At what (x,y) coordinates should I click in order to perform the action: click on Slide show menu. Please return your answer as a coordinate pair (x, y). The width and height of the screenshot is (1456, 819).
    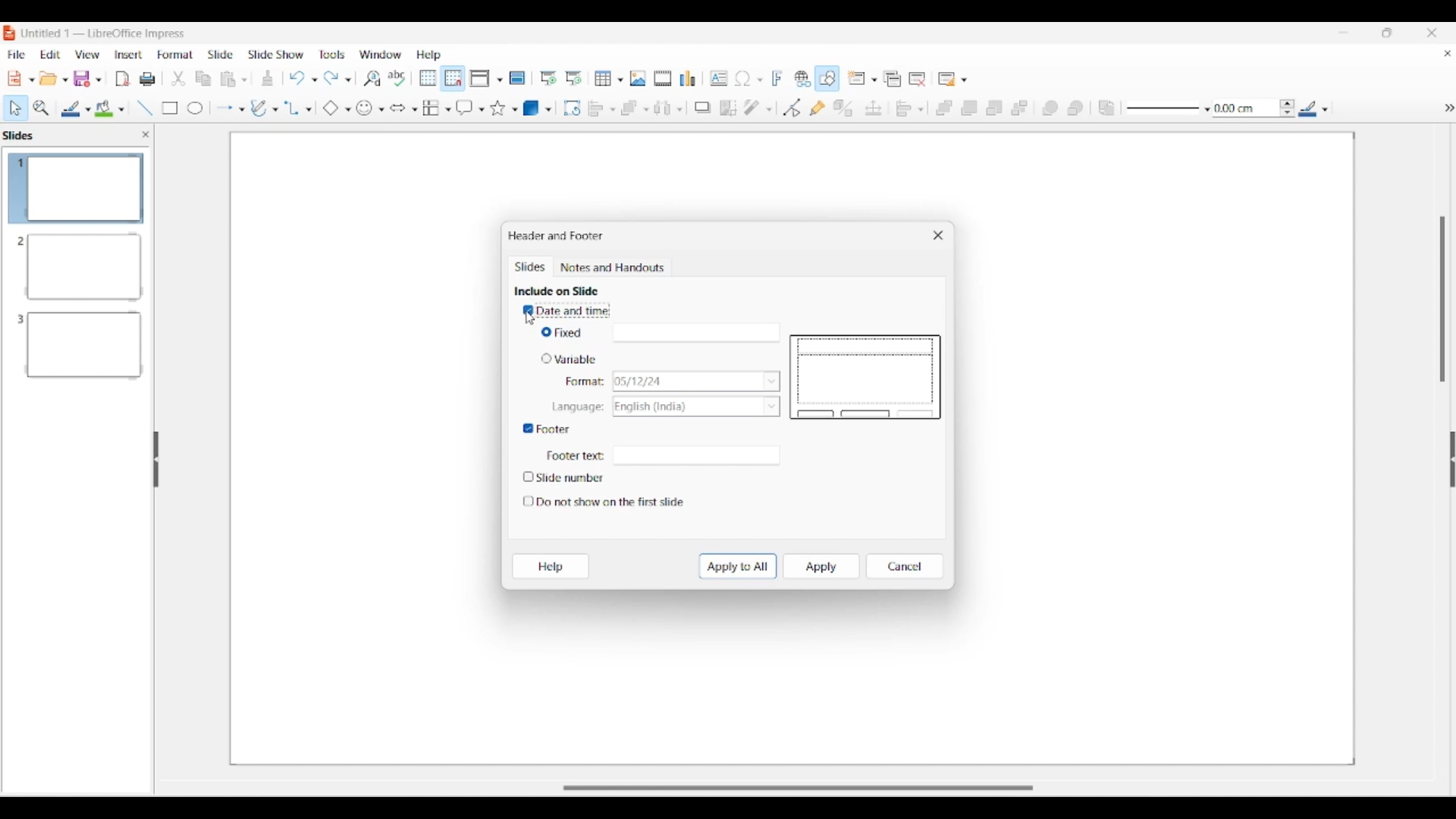
    Looking at the image, I should click on (275, 55).